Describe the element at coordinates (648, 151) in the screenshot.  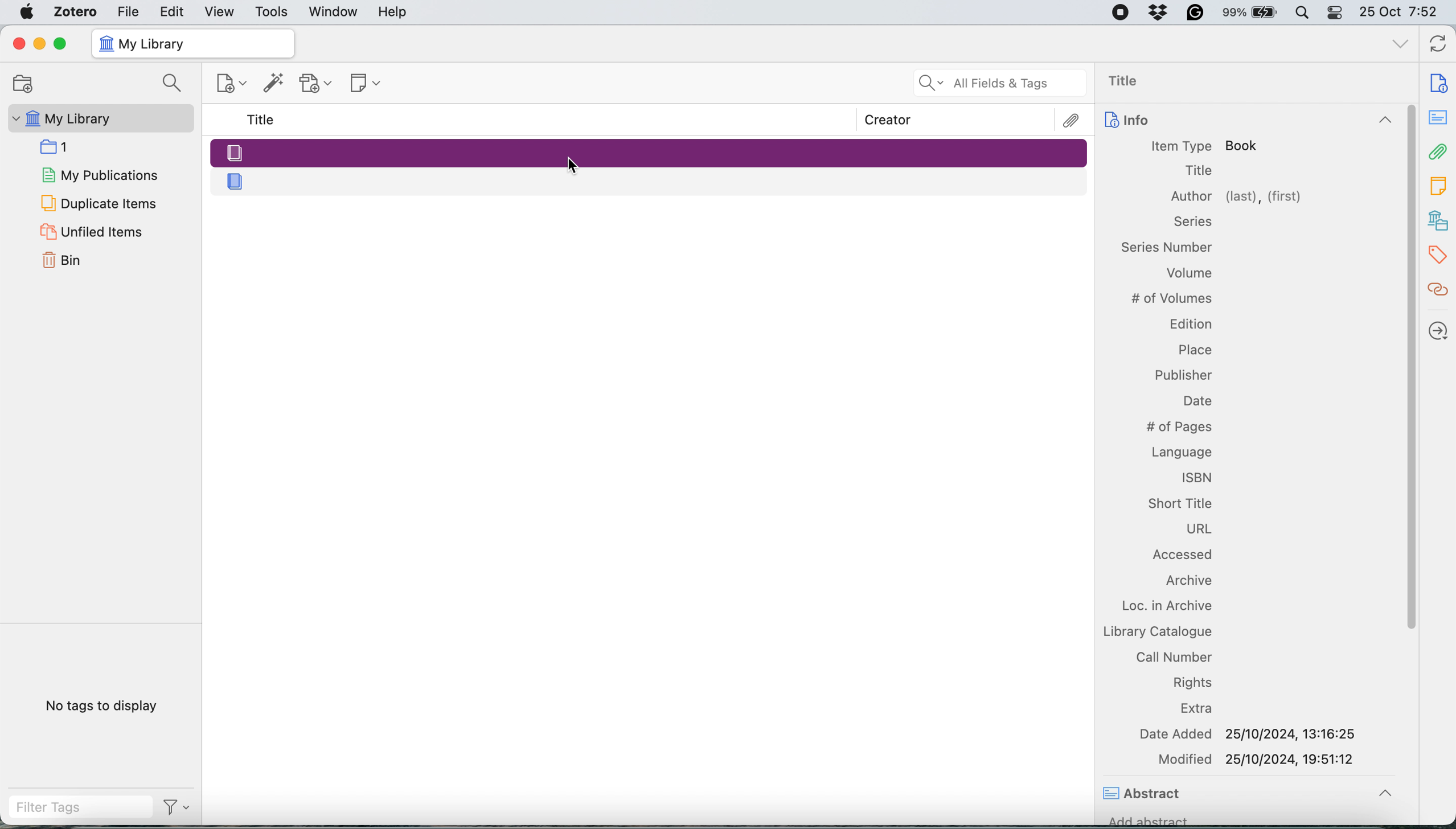
I see `Blank Entry 1` at that location.